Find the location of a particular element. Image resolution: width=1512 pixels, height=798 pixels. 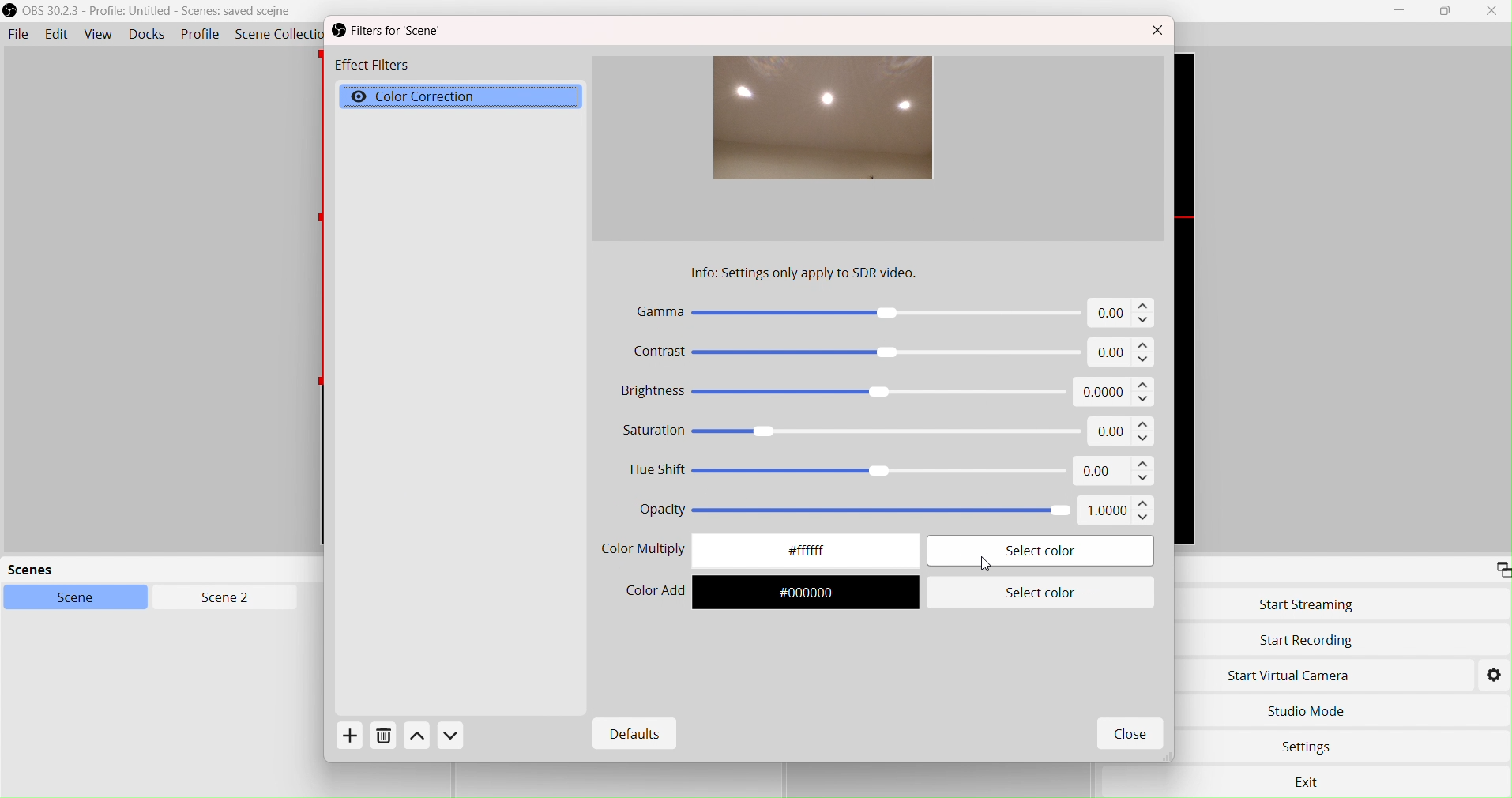

Gamma is located at coordinates (858, 311).